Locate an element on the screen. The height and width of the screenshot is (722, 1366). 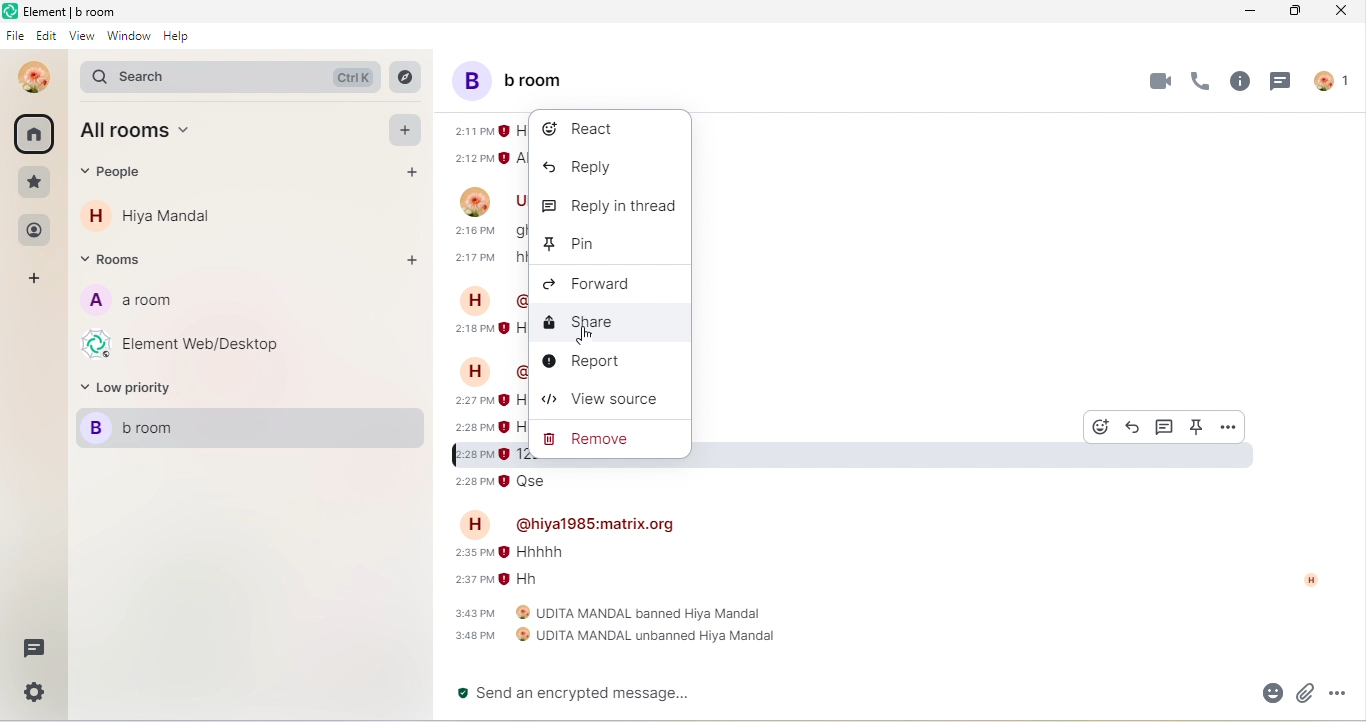
@hiya1985:matrix.org is located at coordinates (597, 523).